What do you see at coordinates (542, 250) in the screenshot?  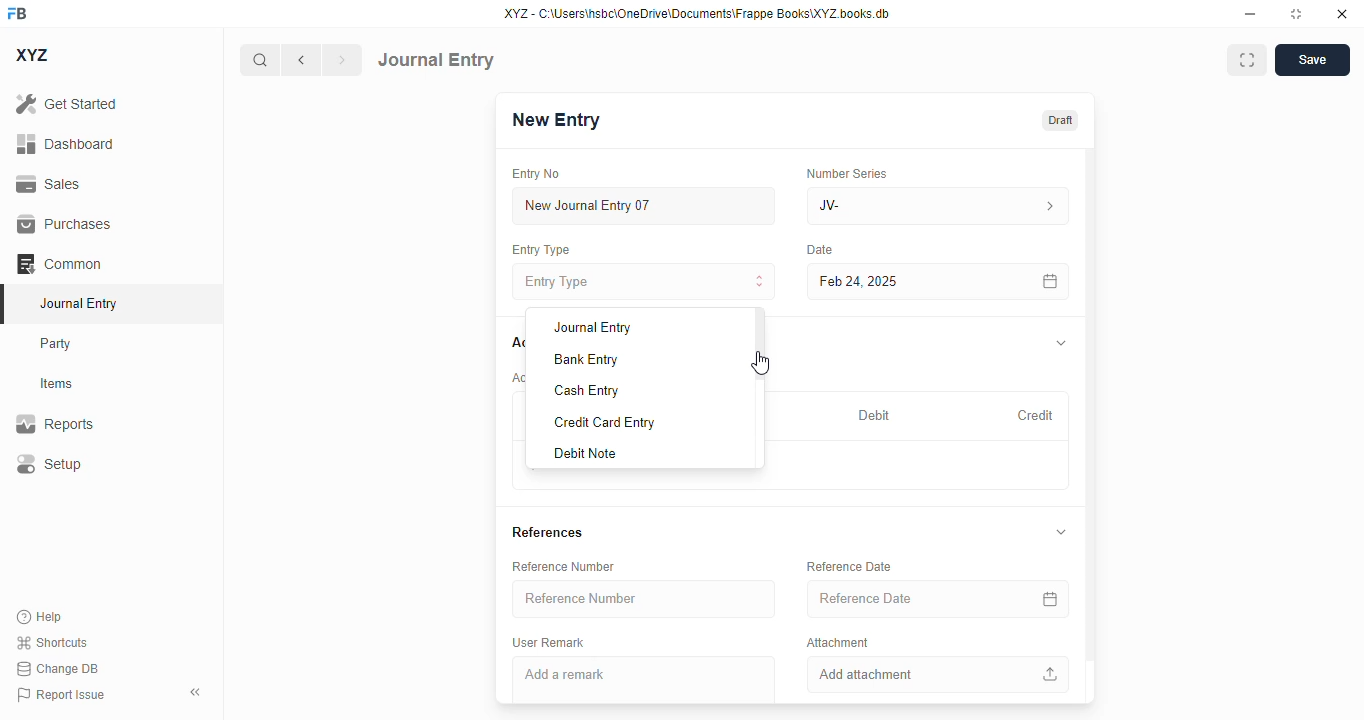 I see `entry type` at bounding box center [542, 250].